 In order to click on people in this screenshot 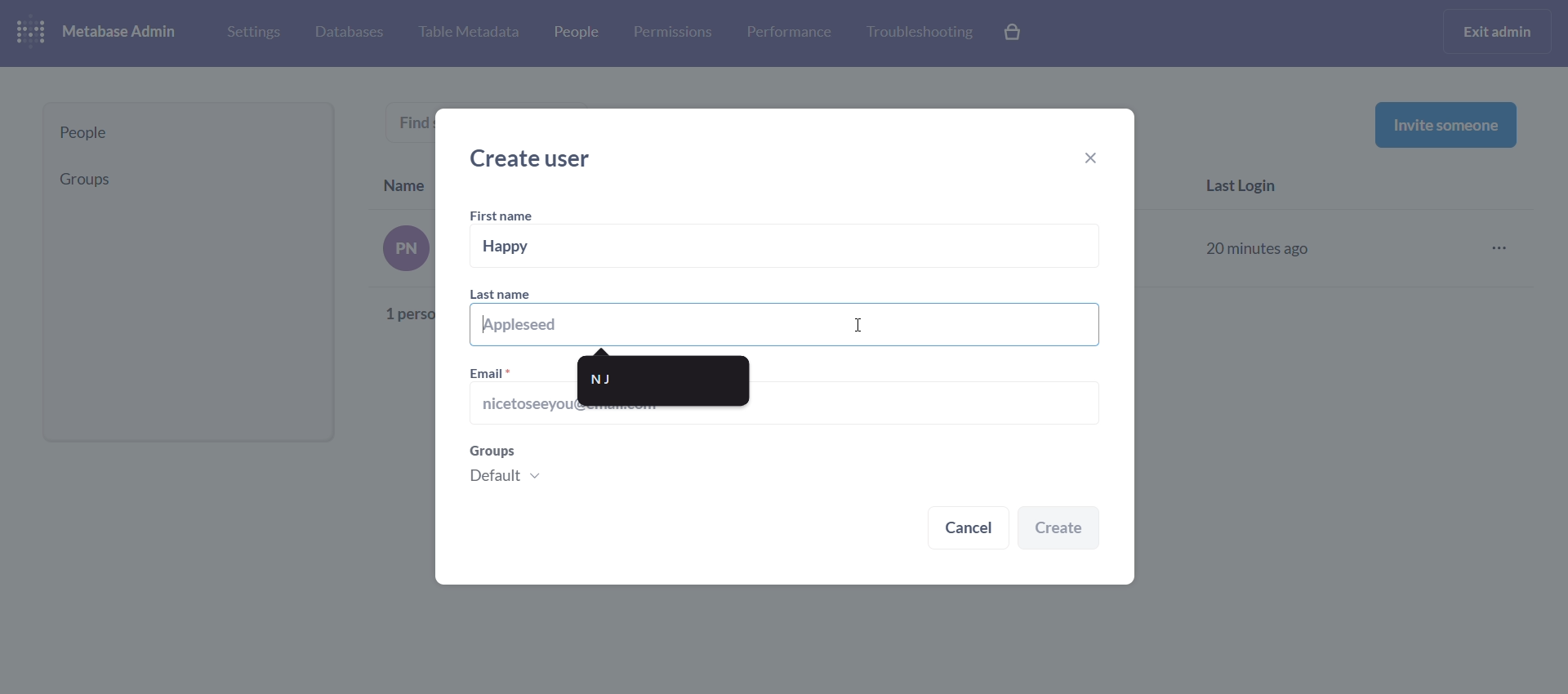, I will do `click(189, 133)`.